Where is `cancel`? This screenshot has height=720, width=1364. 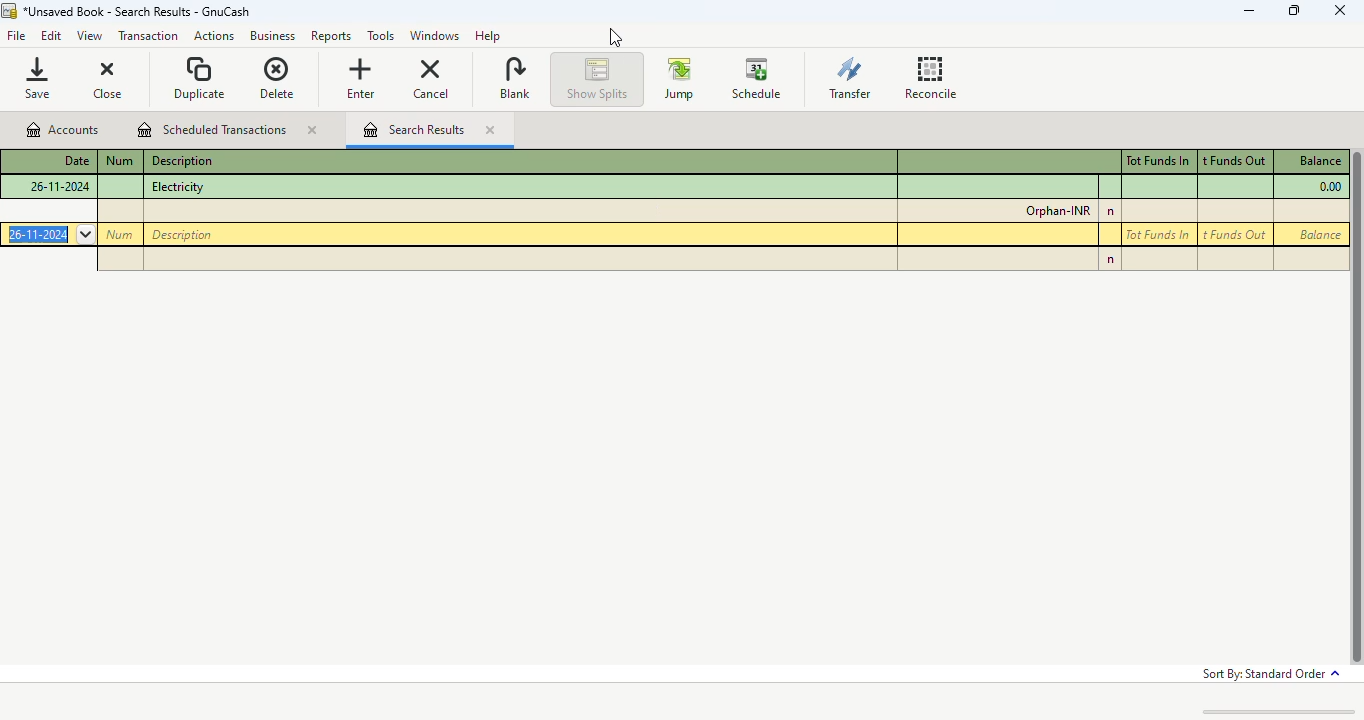 cancel is located at coordinates (431, 77).